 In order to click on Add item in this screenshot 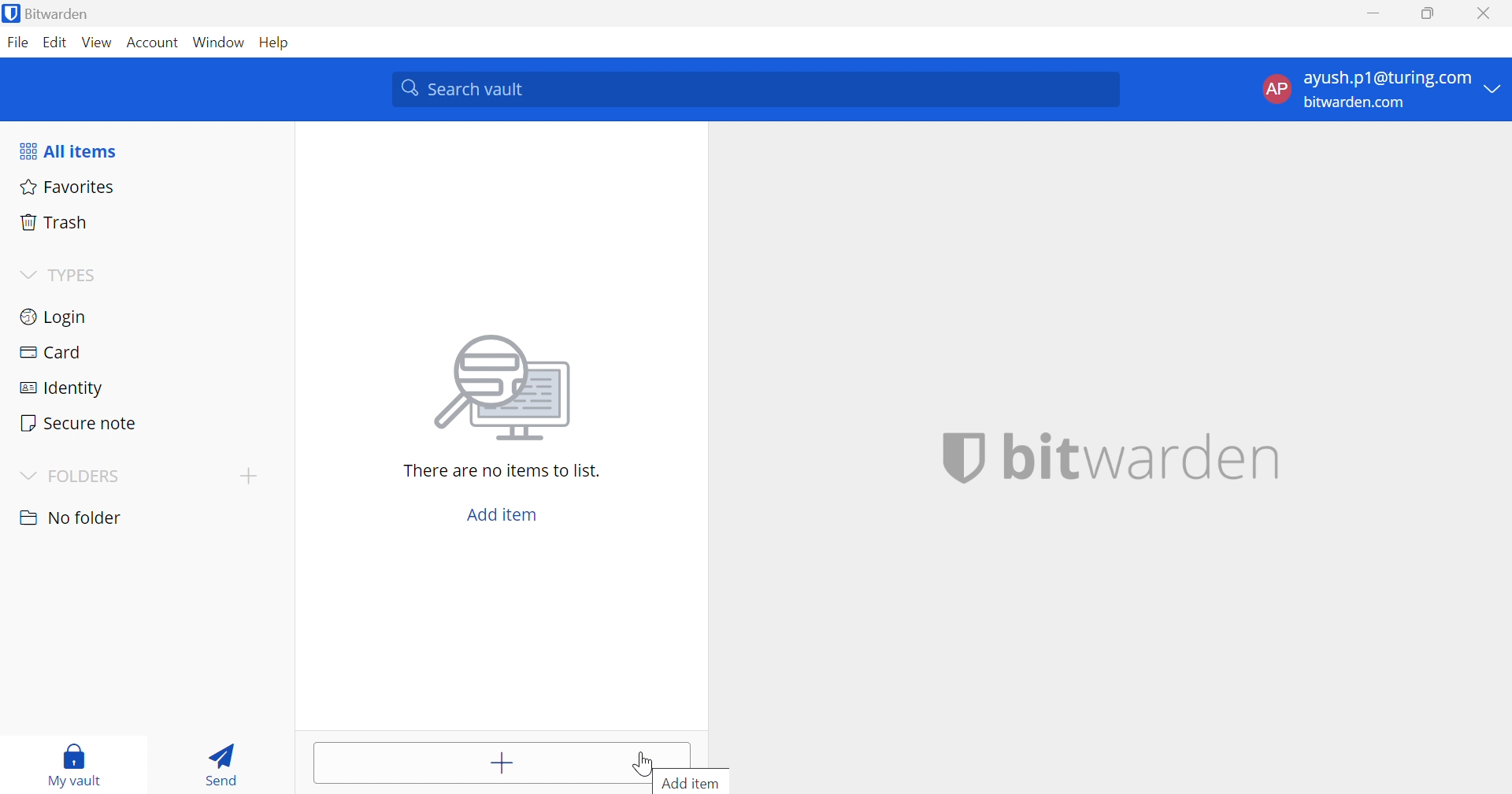, I will do `click(500, 760)`.